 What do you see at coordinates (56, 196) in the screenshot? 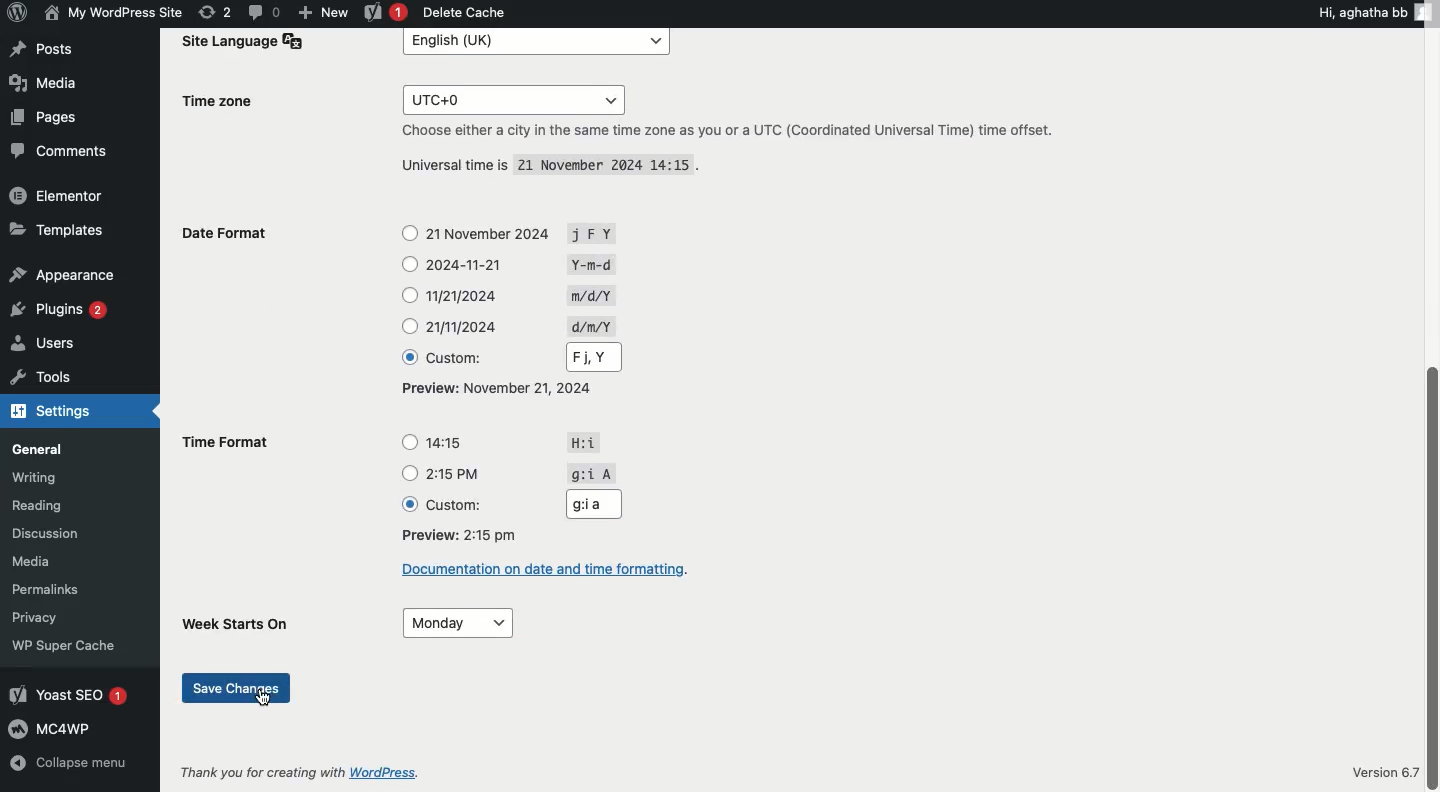
I see `Elementor` at bounding box center [56, 196].